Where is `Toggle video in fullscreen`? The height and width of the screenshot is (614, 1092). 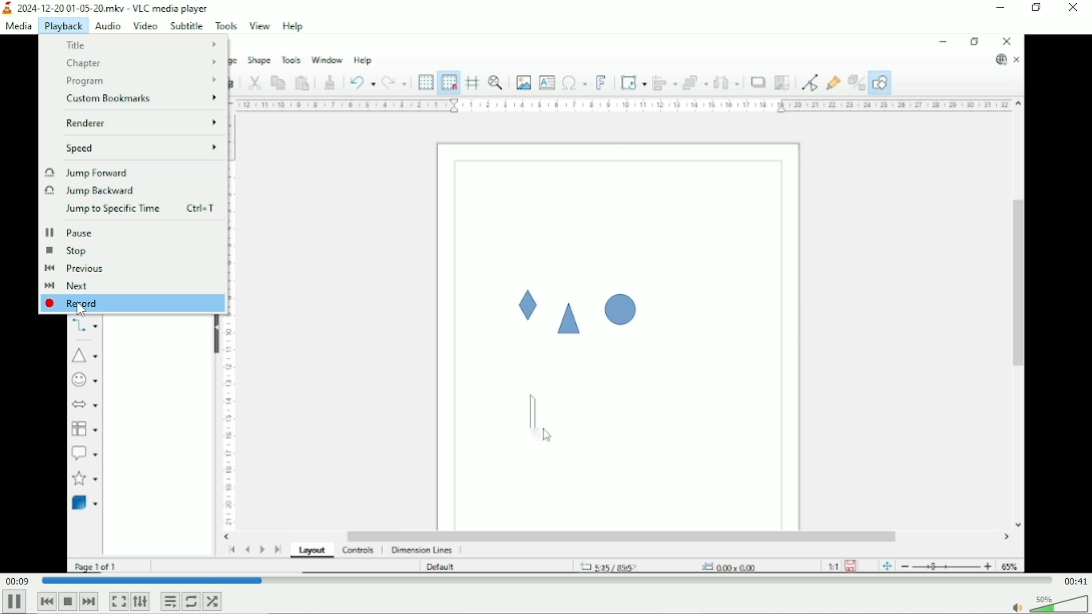
Toggle video in fullscreen is located at coordinates (117, 601).